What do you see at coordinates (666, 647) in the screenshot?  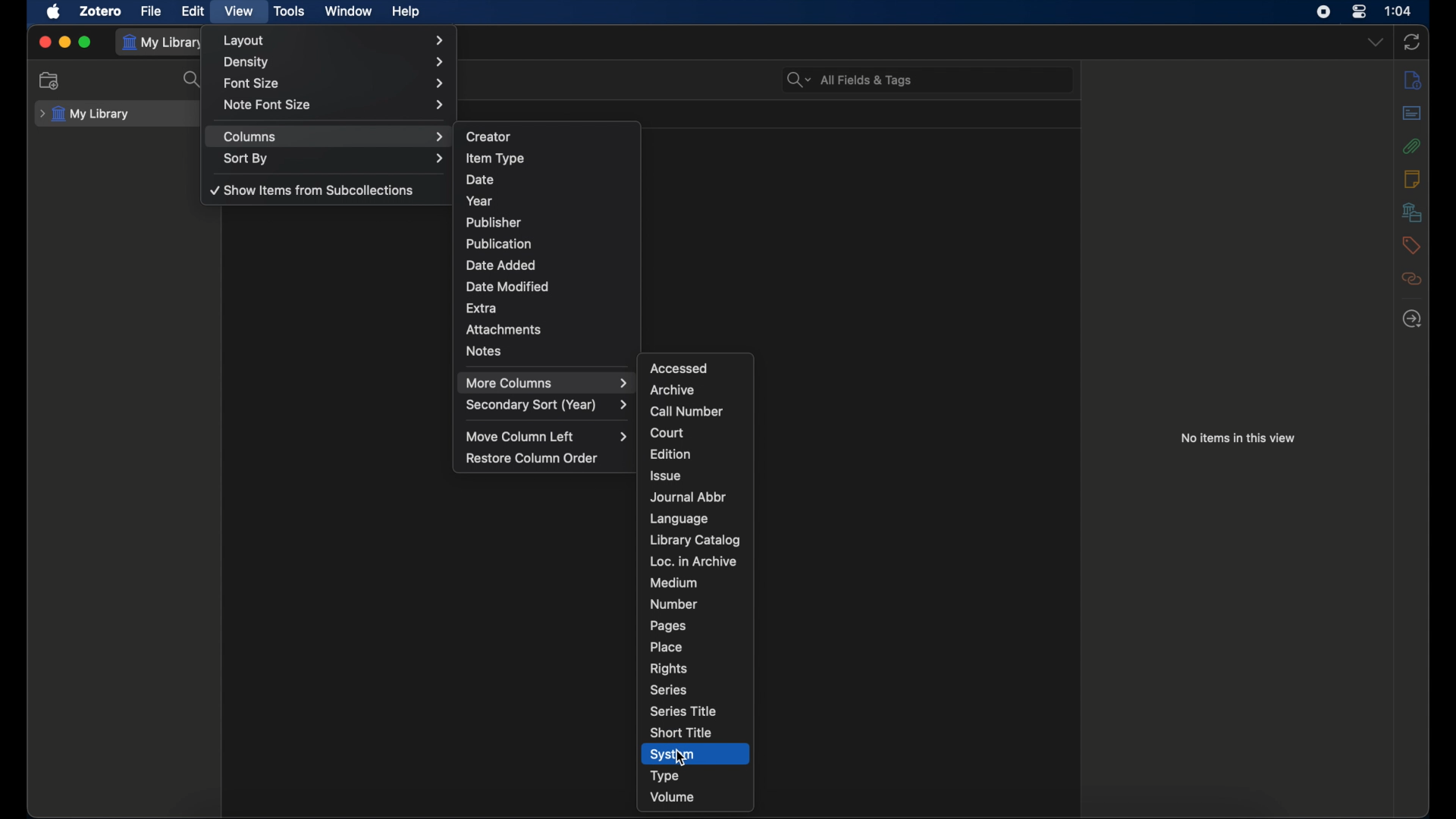 I see `place` at bounding box center [666, 647].